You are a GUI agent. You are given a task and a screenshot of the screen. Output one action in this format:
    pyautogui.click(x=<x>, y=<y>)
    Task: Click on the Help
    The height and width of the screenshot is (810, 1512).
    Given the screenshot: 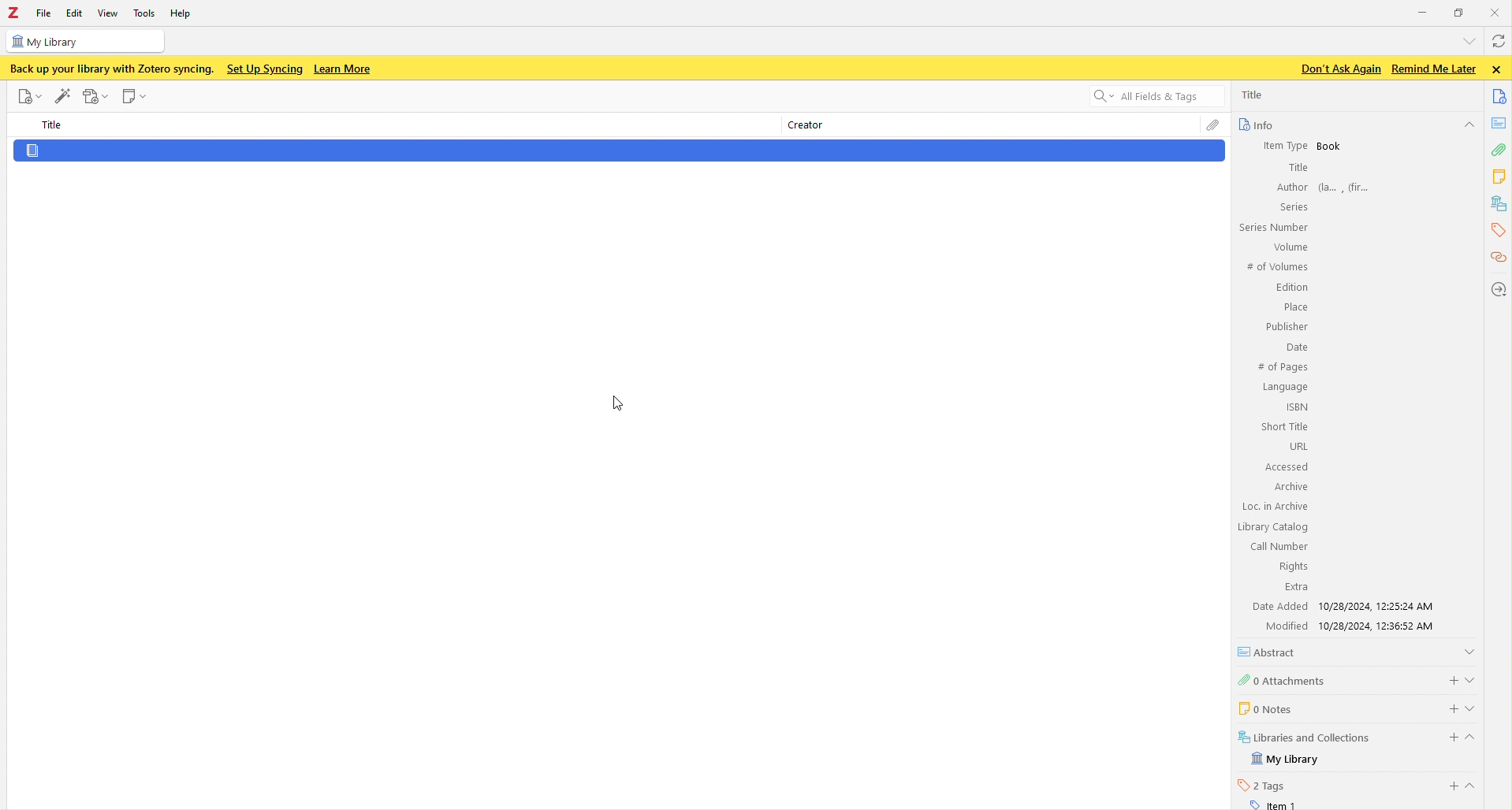 What is the action you would take?
    pyautogui.click(x=185, y=15)
    